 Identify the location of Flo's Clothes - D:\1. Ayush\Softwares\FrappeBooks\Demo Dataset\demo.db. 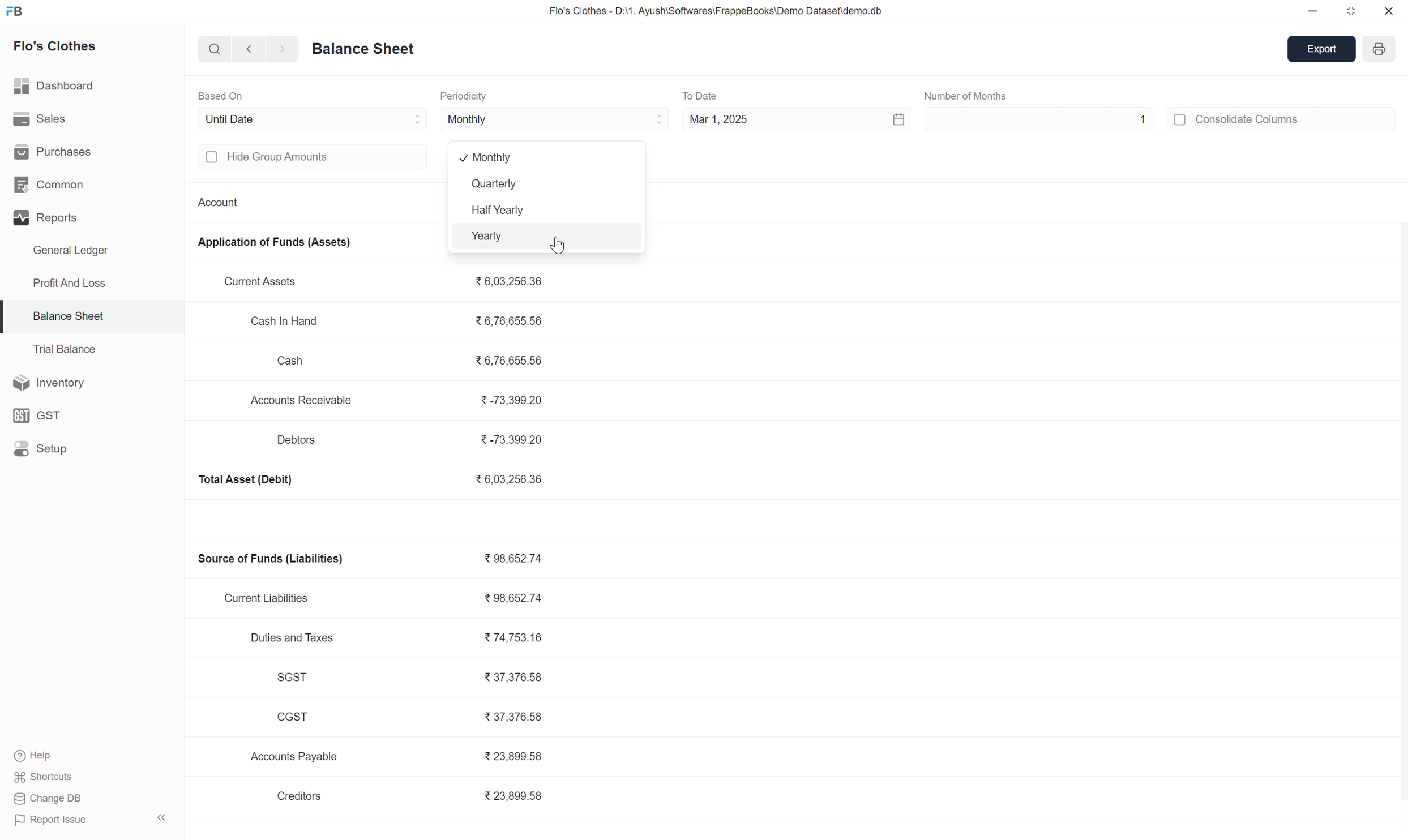
(714, 10).